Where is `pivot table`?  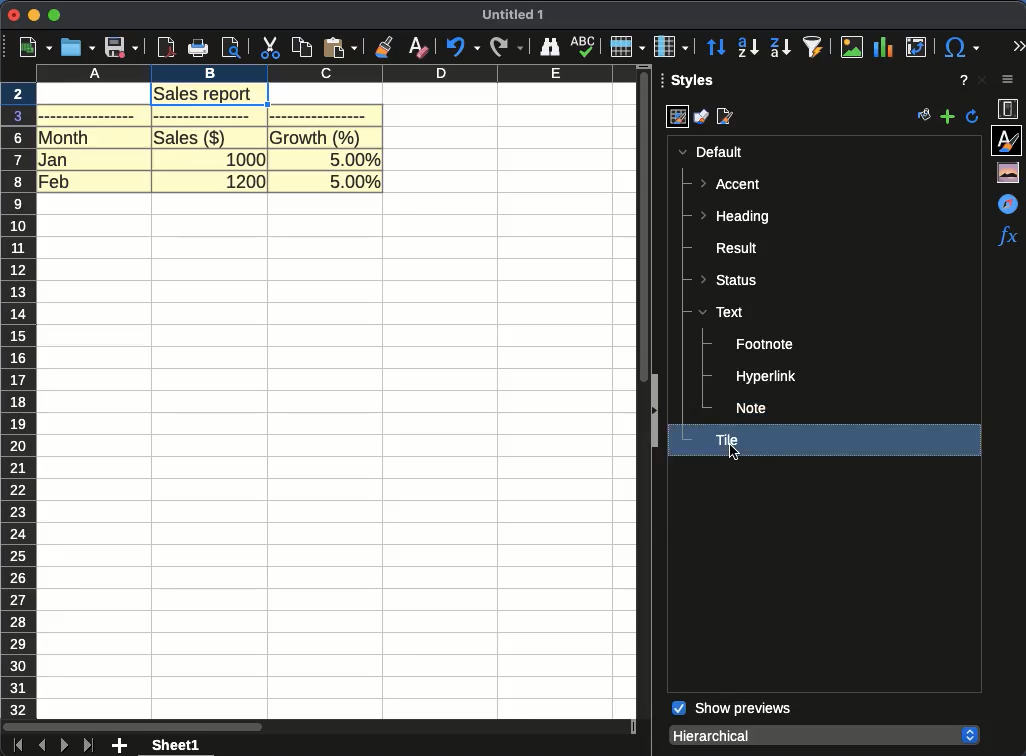
pivot table is located at coordinates (914, 48).